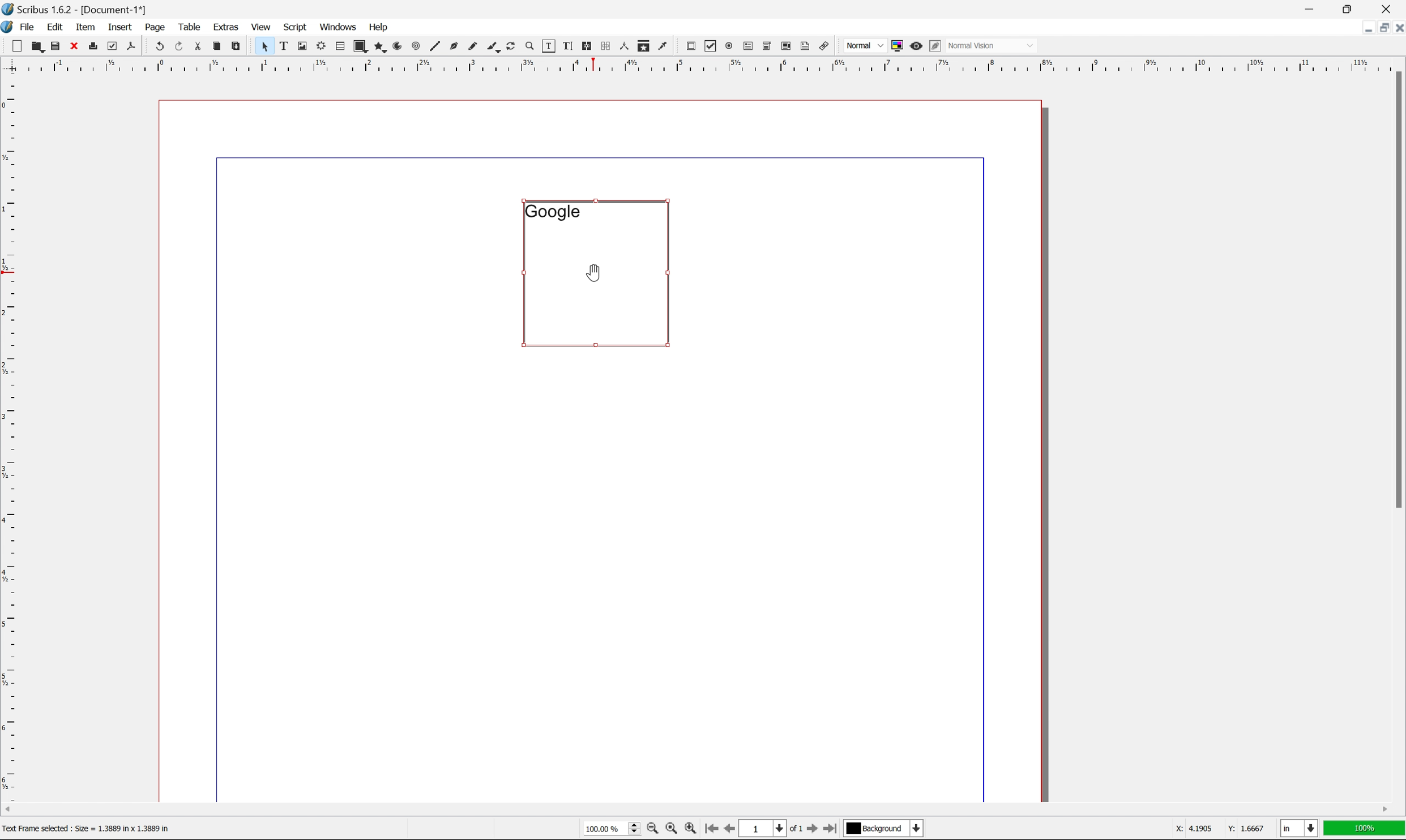  Describe the element at coordinates (416, 45) in the screenshot. I see `spiral` at that location.